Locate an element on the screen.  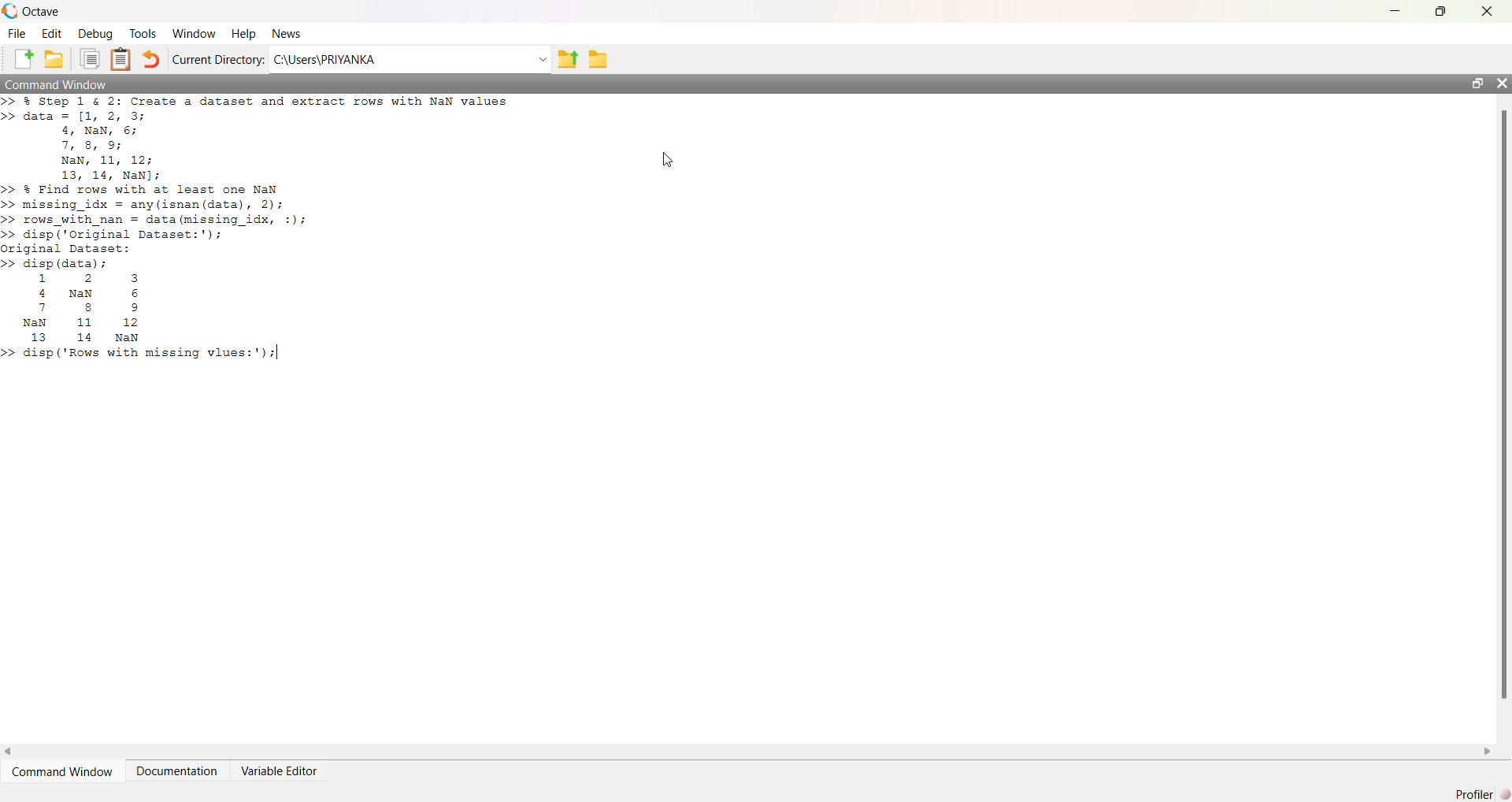
Current Directory: is located at coordinates (219, 59).